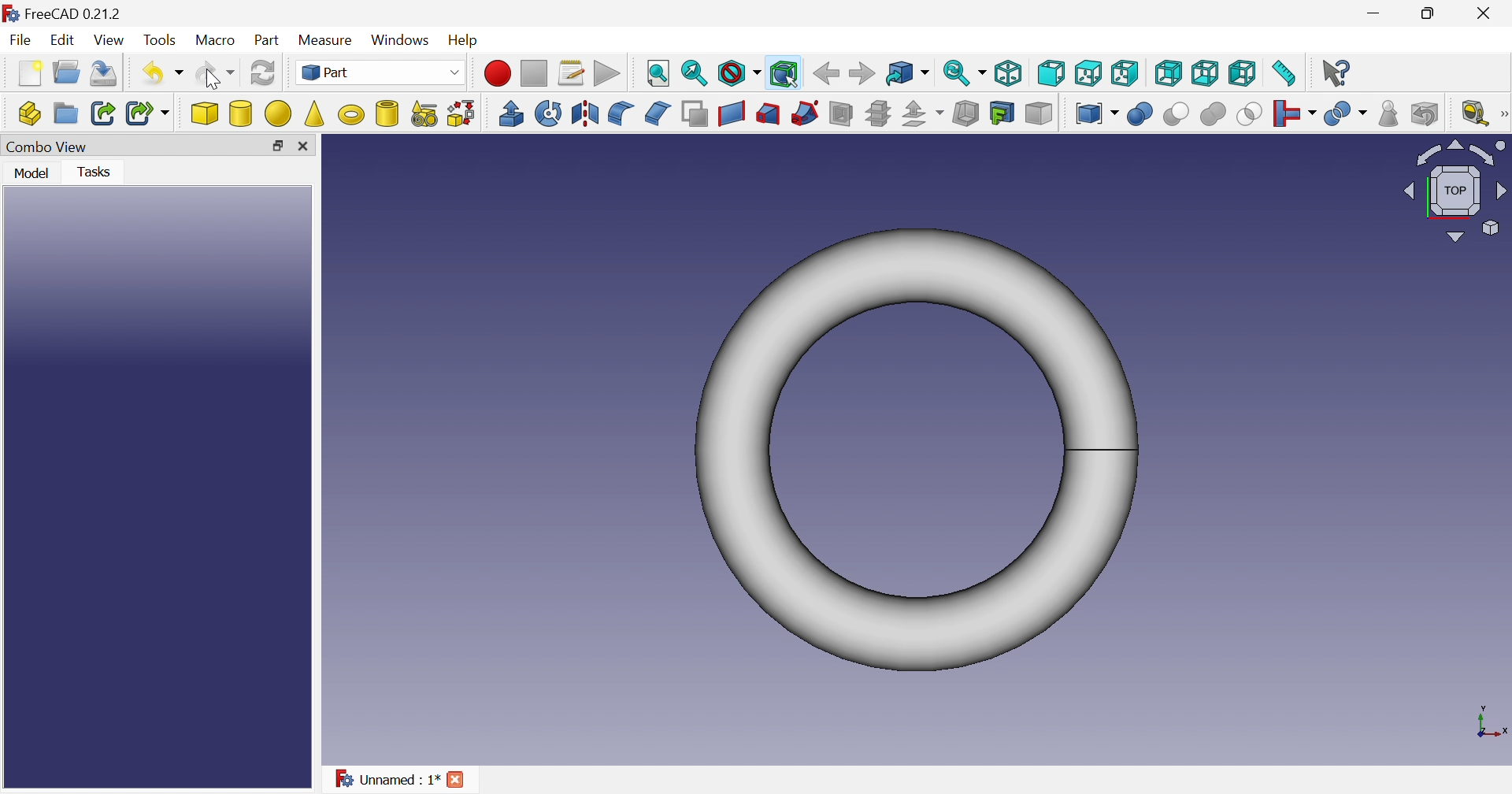 The image size is (1512, 794). What do you see at coordinates (739, 75) in the screenshot?
I see `Draw style` at bounding box center [739, 75].